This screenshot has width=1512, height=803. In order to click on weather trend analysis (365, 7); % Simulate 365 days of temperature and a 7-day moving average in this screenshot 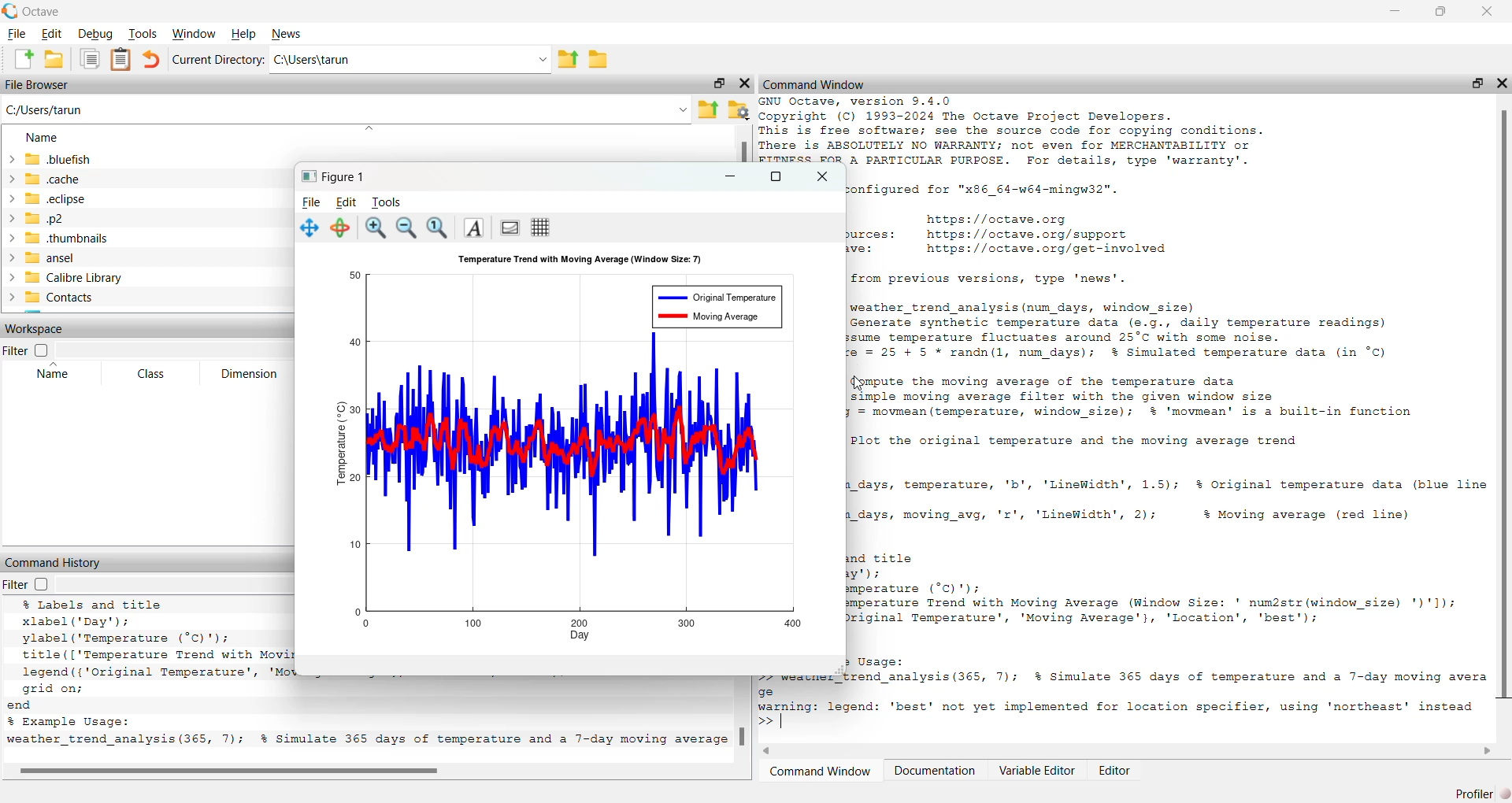, I will do `click(365, 738)`.